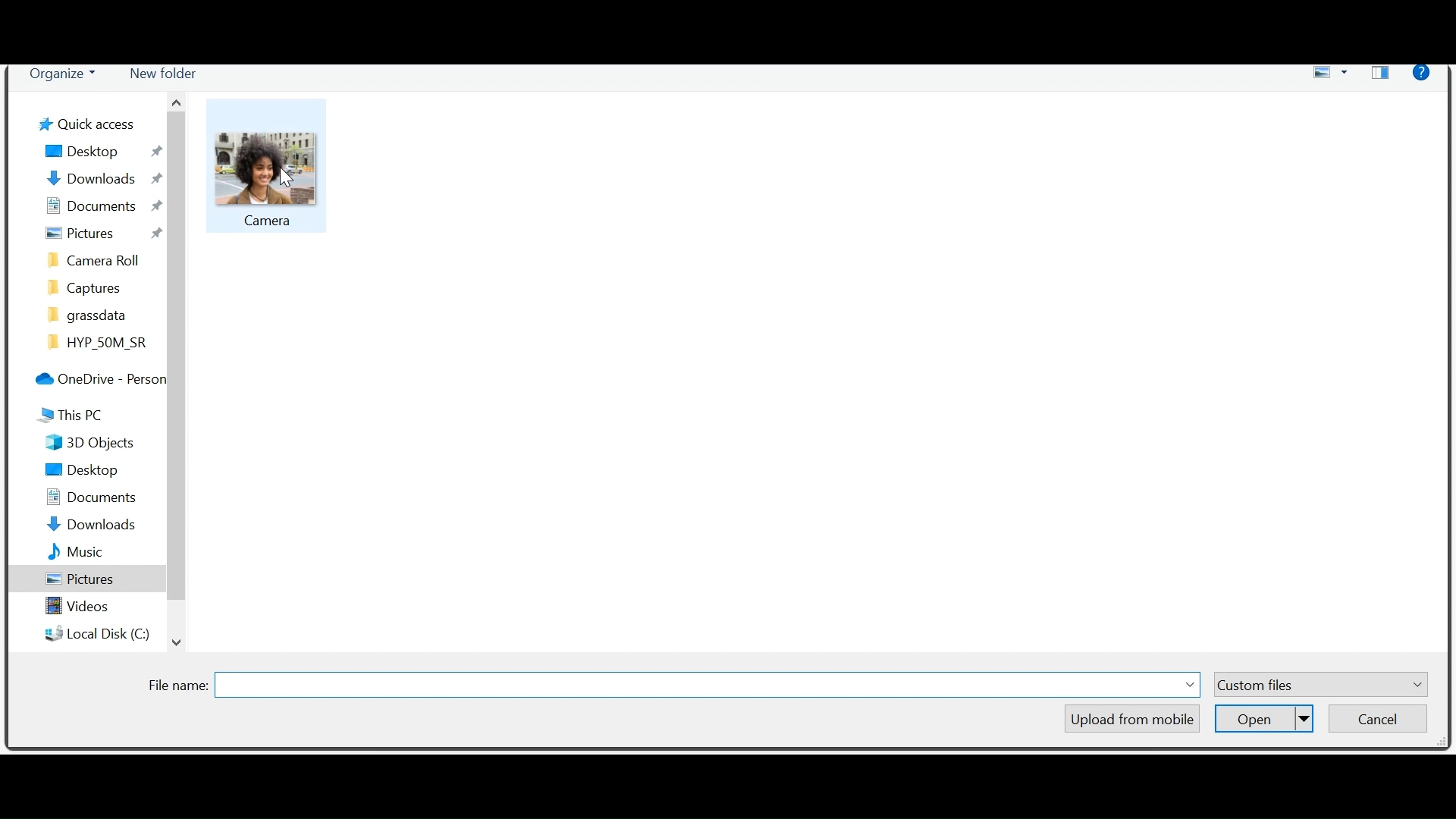 Image resolution: width=1456 pixels, height=819 pixels. Describe the element at coordinates (89, 498) in the screenshot. I see `Documents` at that location.